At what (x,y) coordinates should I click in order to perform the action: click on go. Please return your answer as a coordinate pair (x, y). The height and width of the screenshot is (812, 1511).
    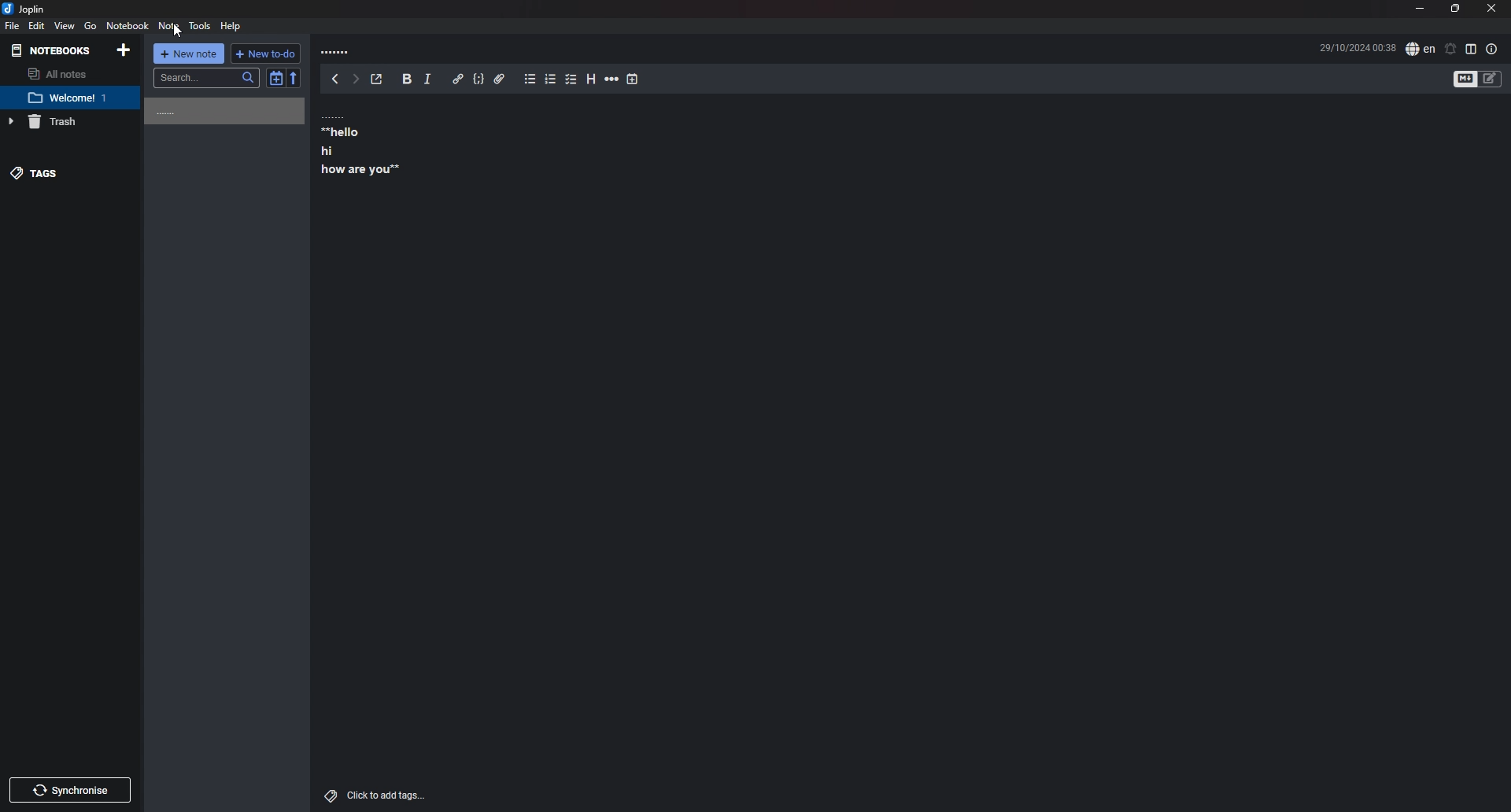
    Looking at the image, I should click on (90, 27).